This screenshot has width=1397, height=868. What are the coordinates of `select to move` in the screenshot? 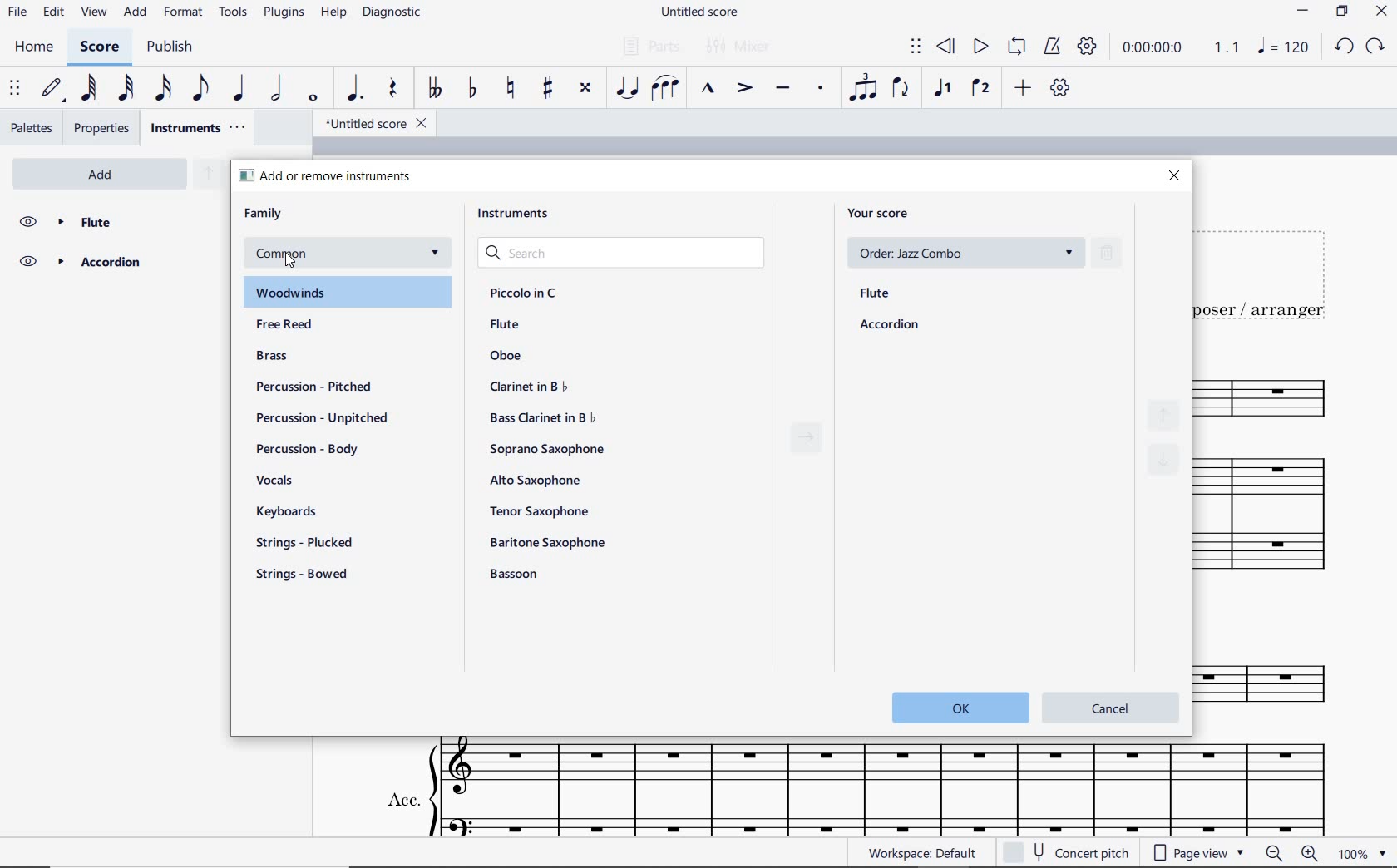 It's located at (15, 89).